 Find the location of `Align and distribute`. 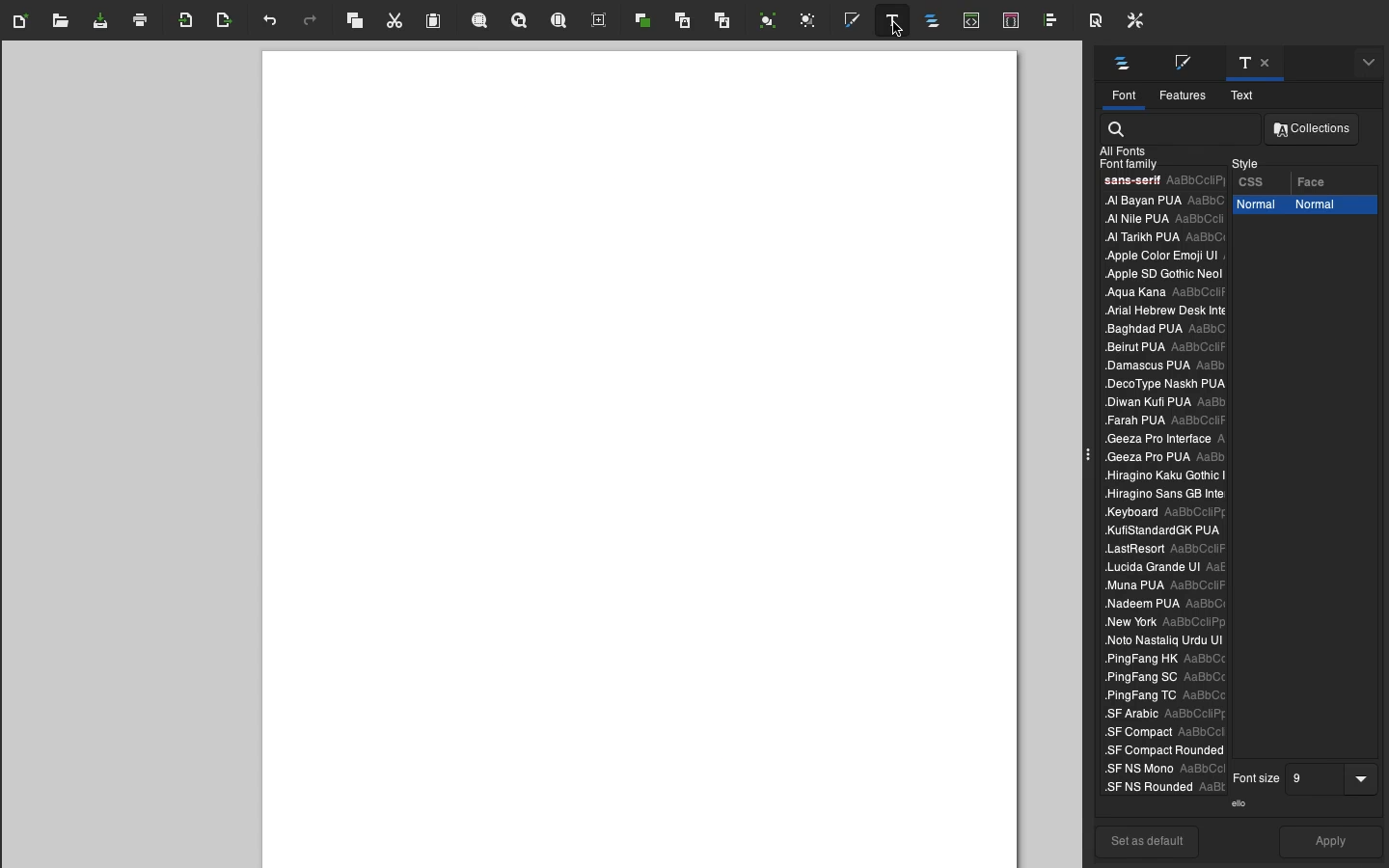

Align and distribute is located at coordinates (1053, 23).